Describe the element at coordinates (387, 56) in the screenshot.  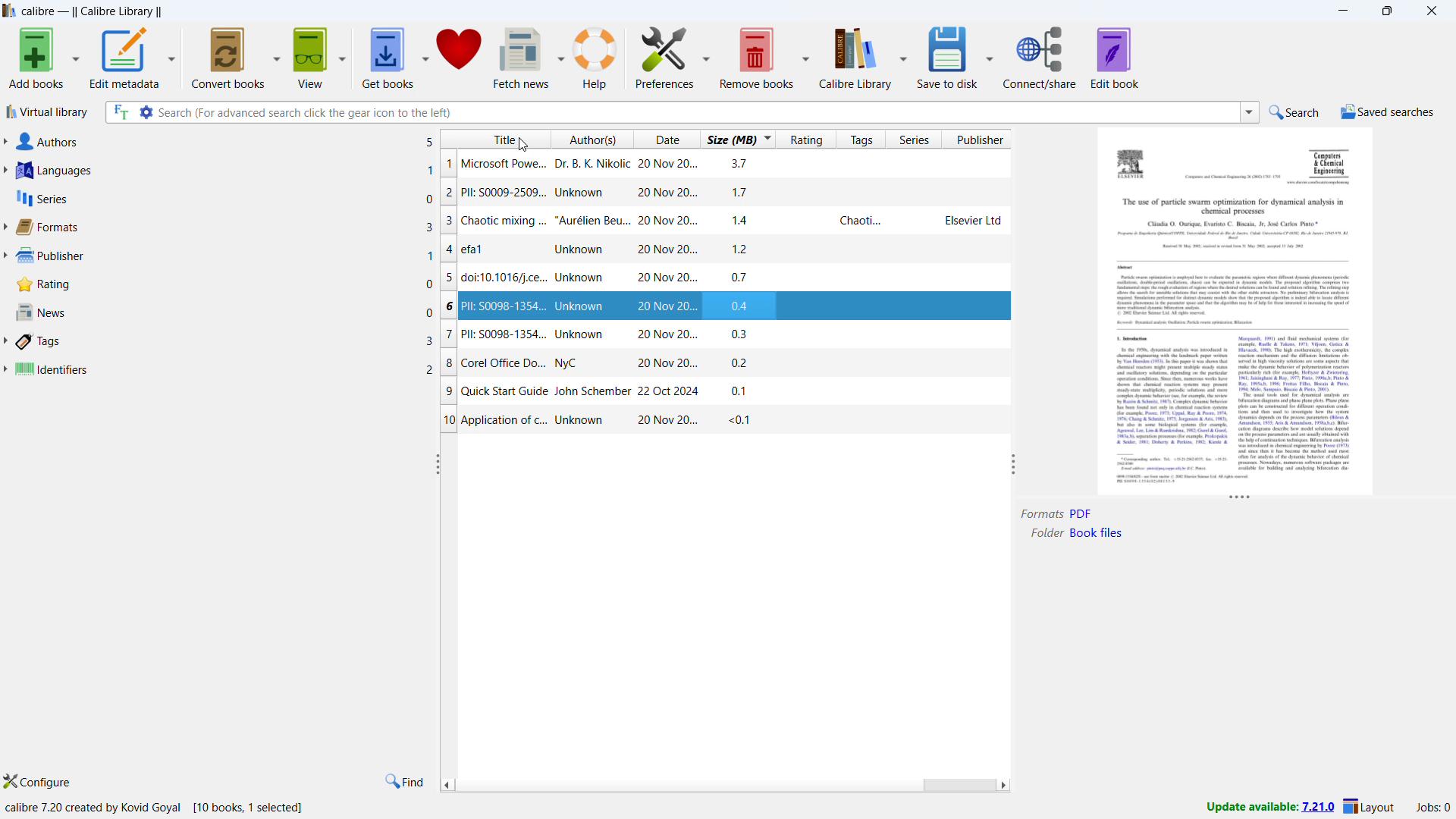
I see `get books` at that location.